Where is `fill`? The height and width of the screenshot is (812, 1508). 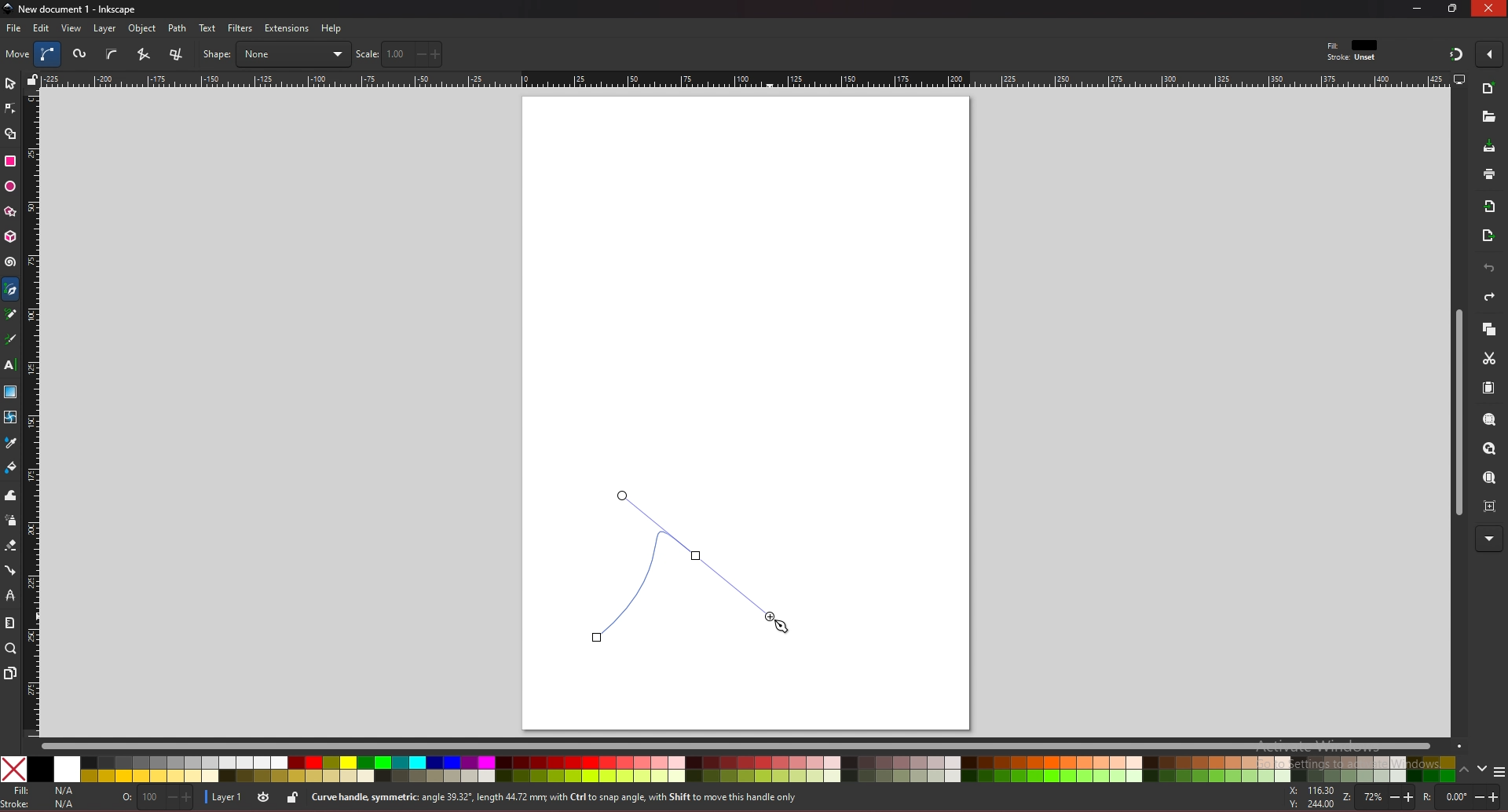 fill is located at coordinates (42, 791).